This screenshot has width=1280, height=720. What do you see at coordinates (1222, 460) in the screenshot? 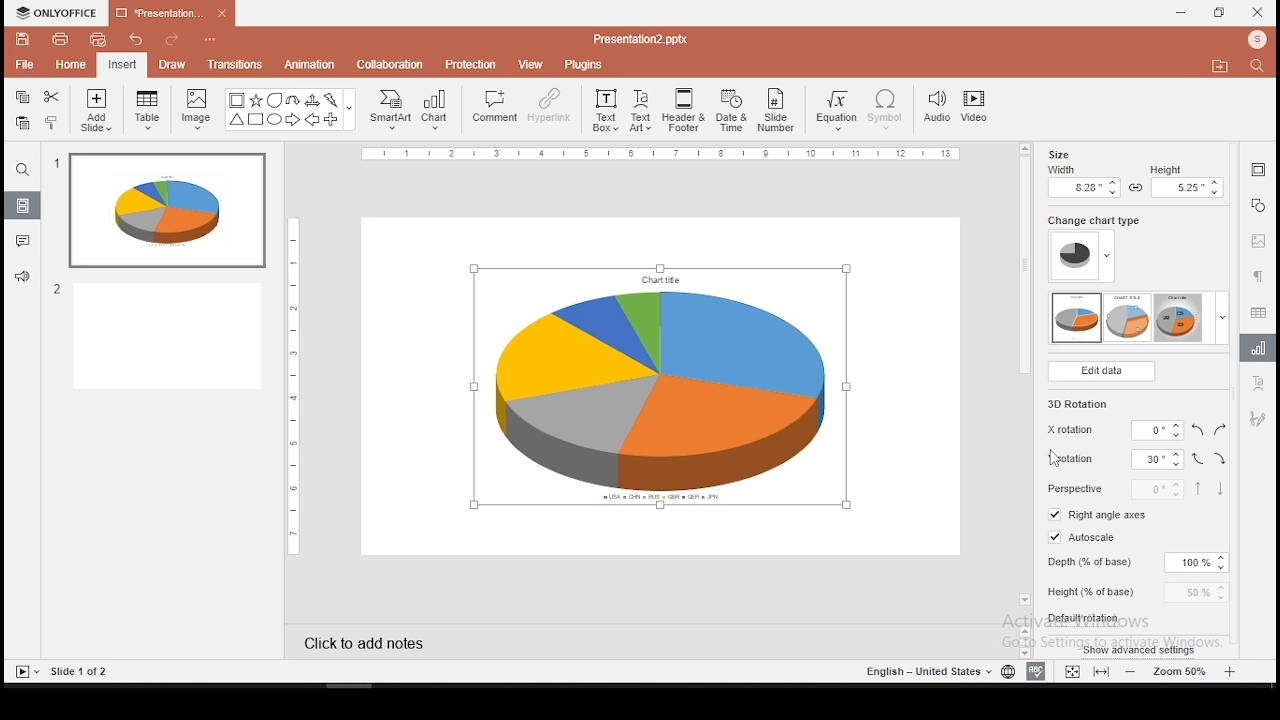
I see `down` at bounding box center [1222, 460].